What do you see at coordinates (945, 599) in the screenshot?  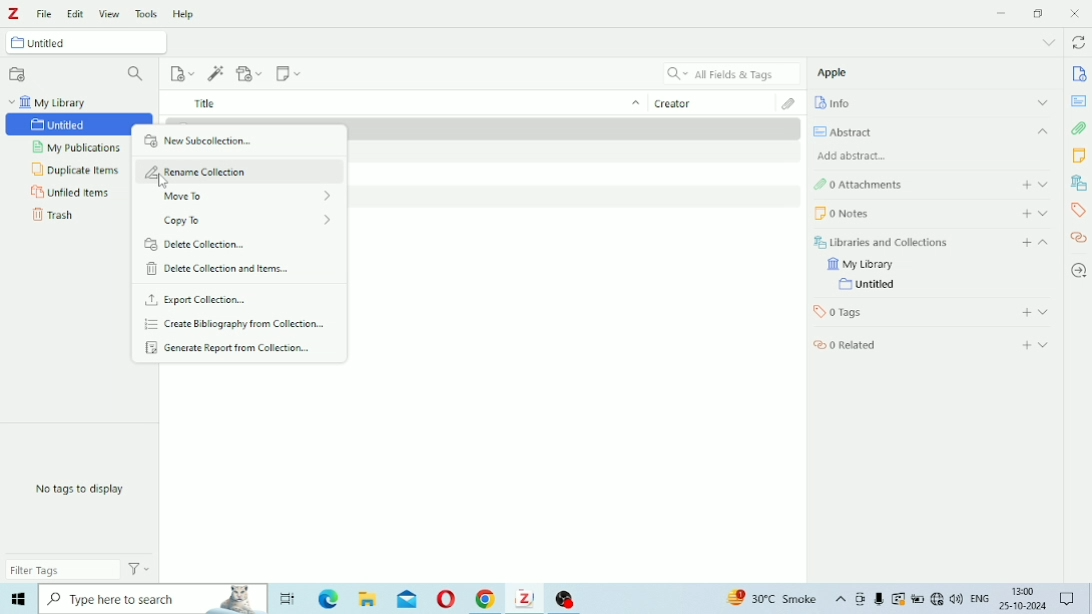 I see `` at bounding box center [945, 599].